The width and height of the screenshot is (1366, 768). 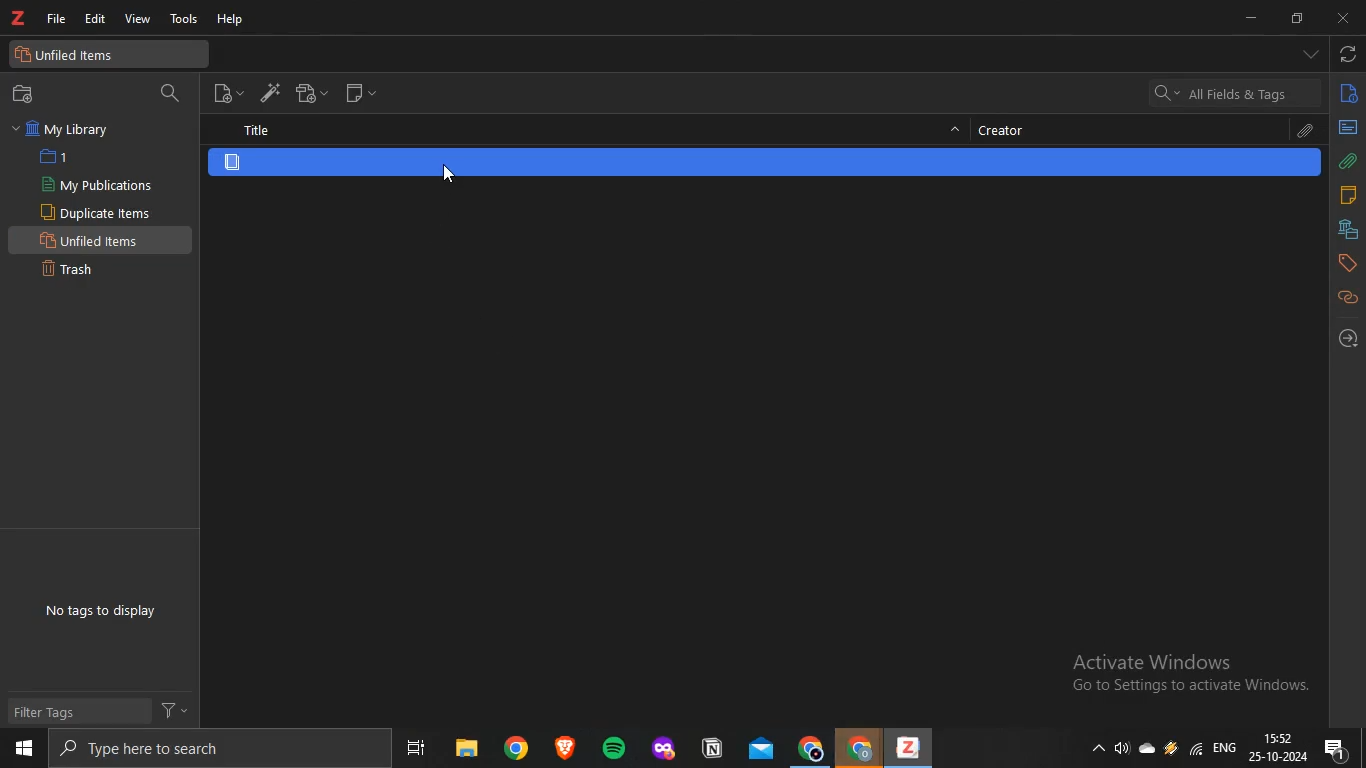 What do you see at coordinates (361, 92) in the screenshot?
I see `new note` at bounding box center [361, 92].